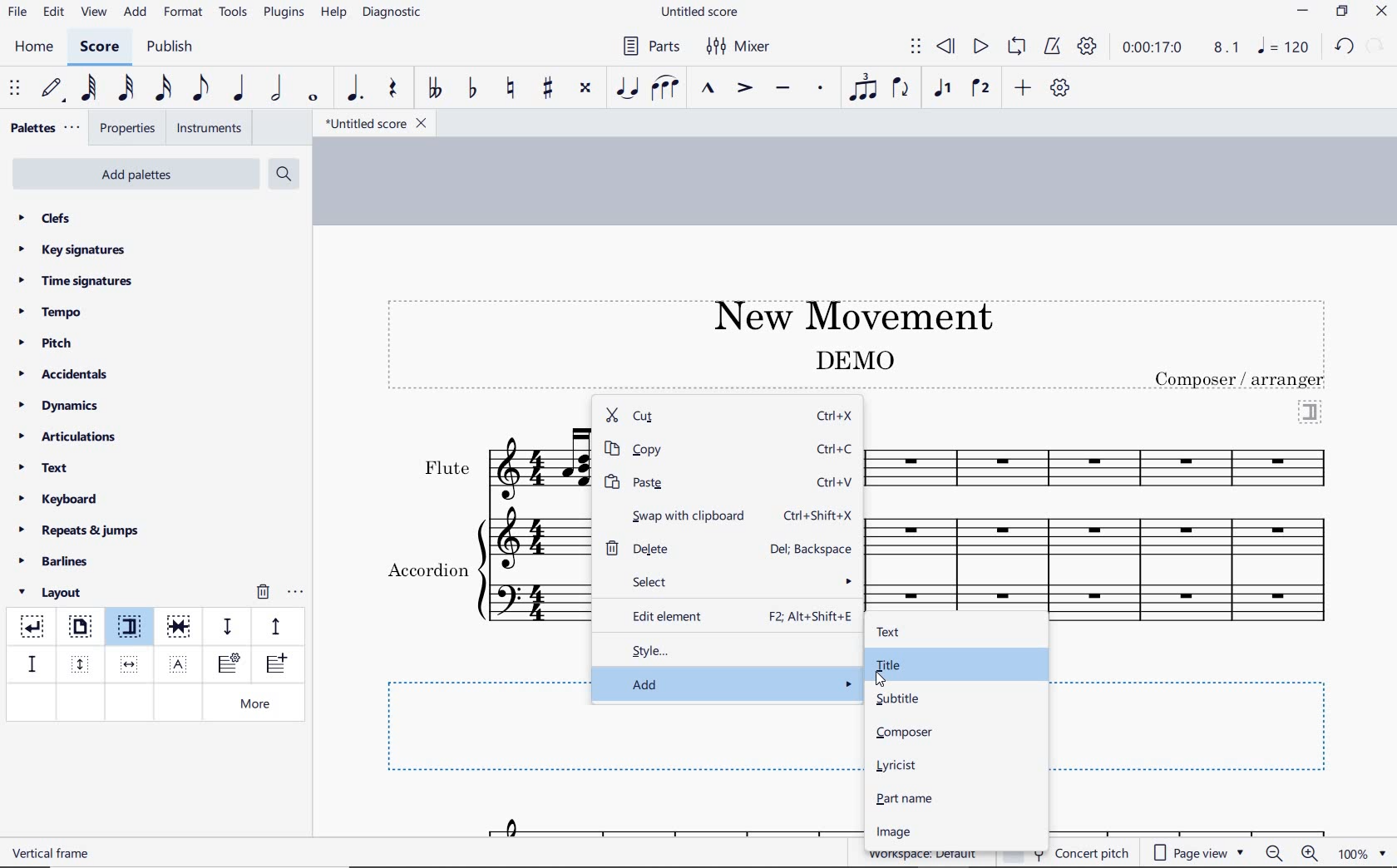  I want to click on style, so click(728, 649).